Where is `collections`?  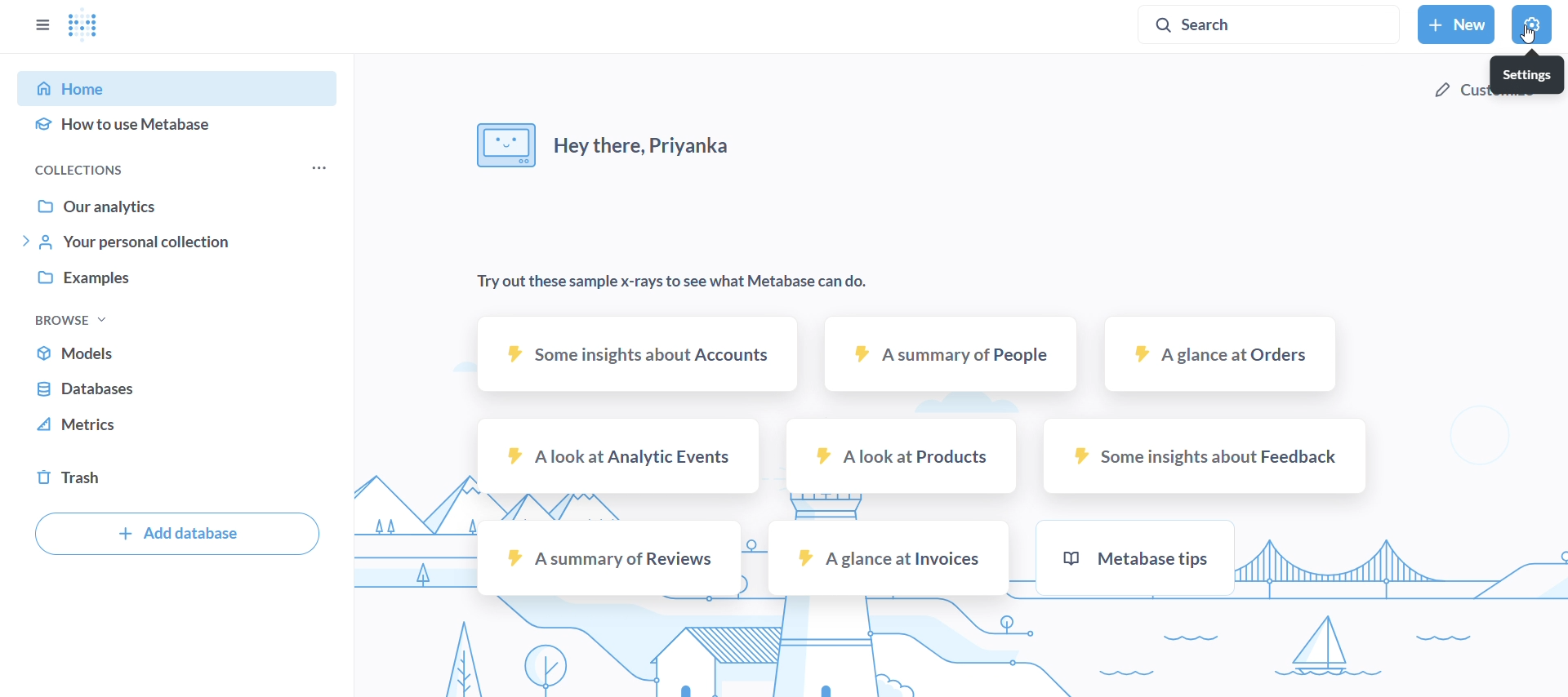 collections is located at coordinates (87, 169).